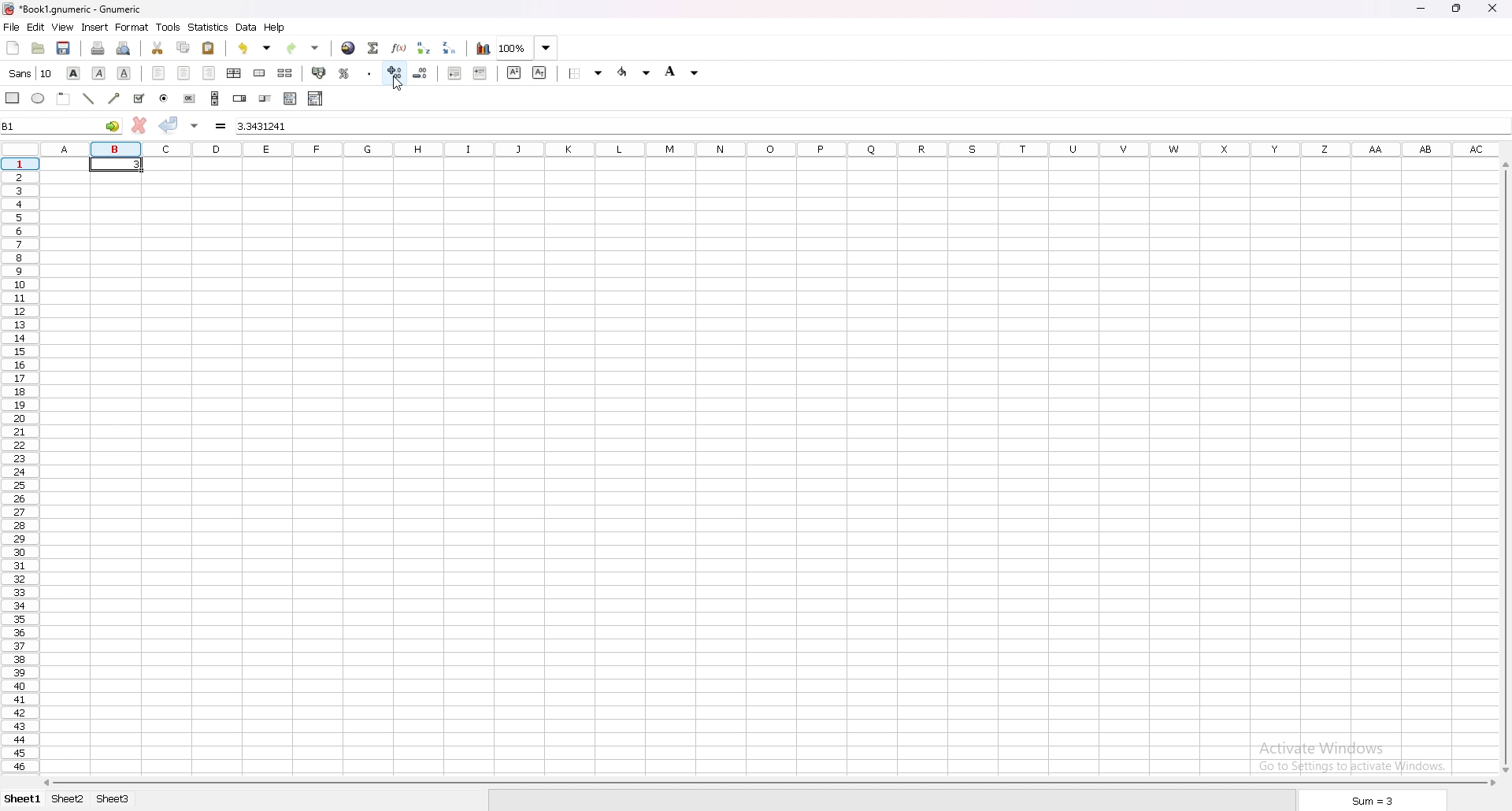 This screenshot has width=1512, height=811. What do you see at coordinates (87, 99) in the screenshot?
I see `line` at bounding box center [87, 99].